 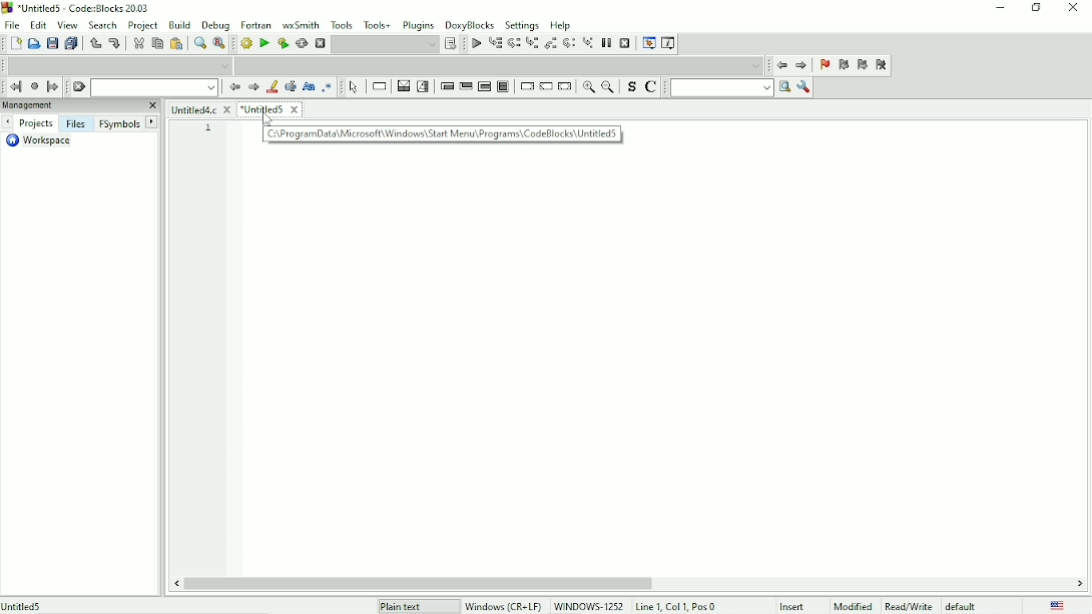 I want to click on Minimize, so click(x=1001, y=8).